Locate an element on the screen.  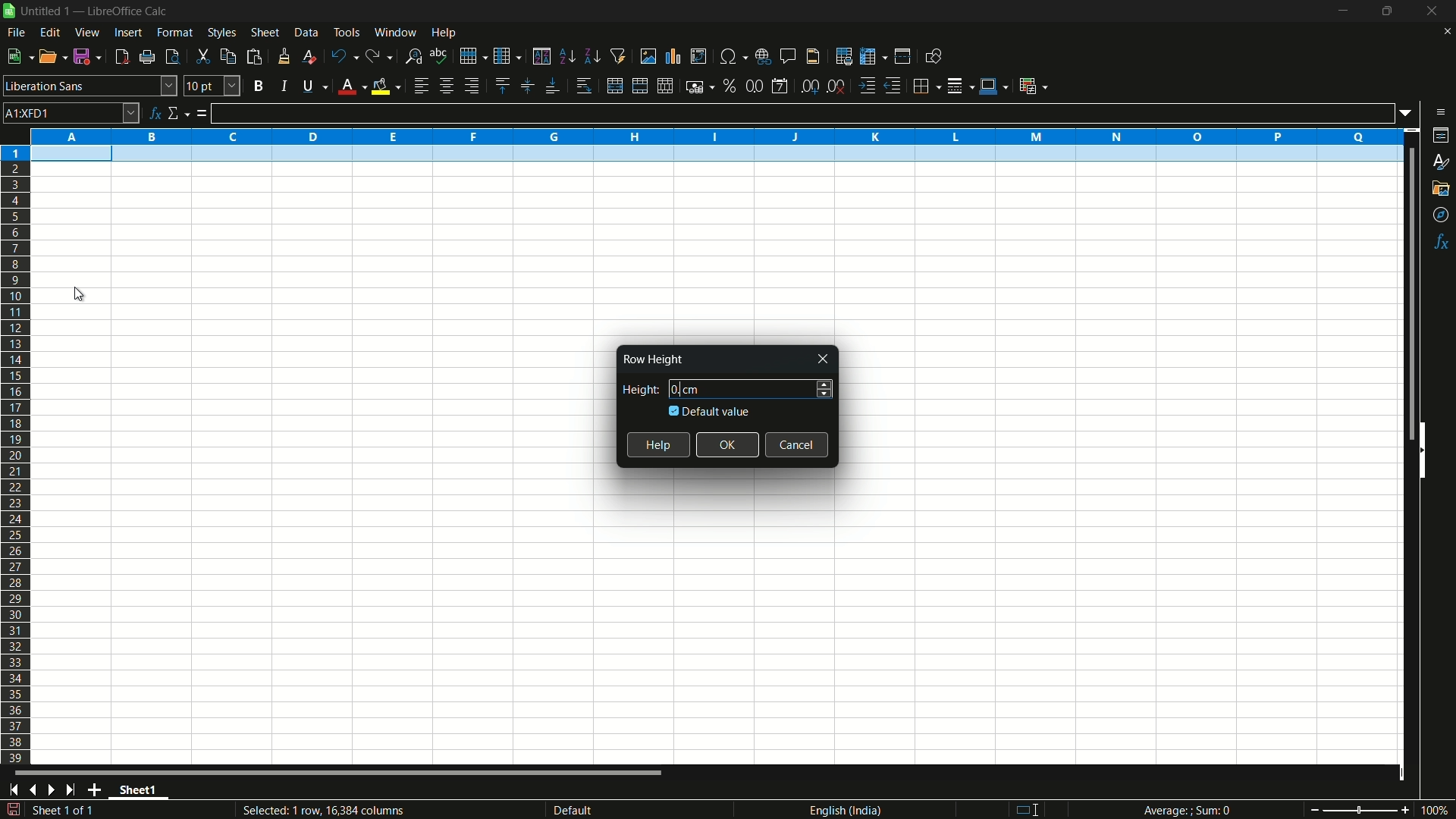
align right is located at coordinates (470, 86).